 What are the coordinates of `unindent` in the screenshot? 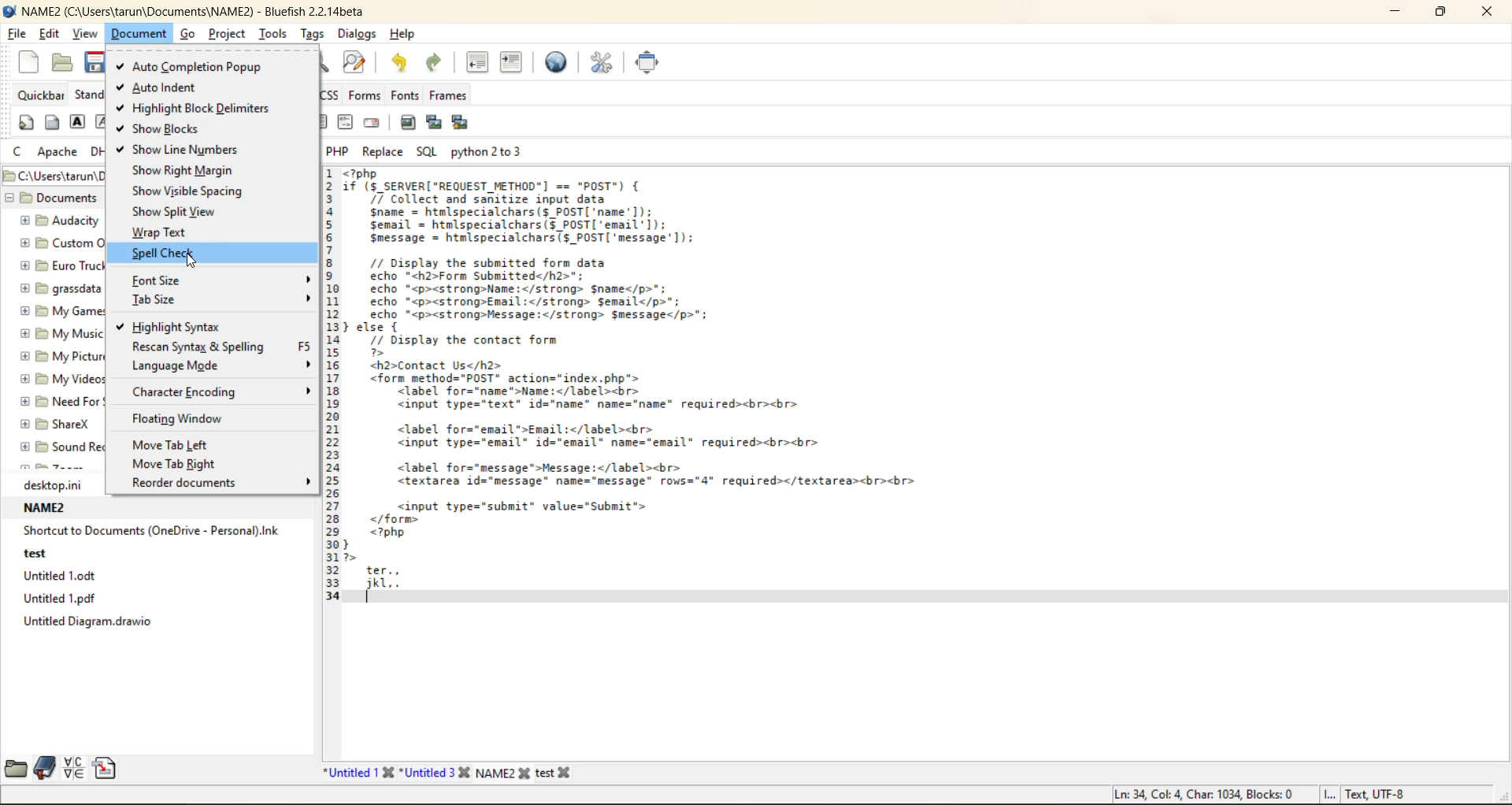 It's located at (476, 62).